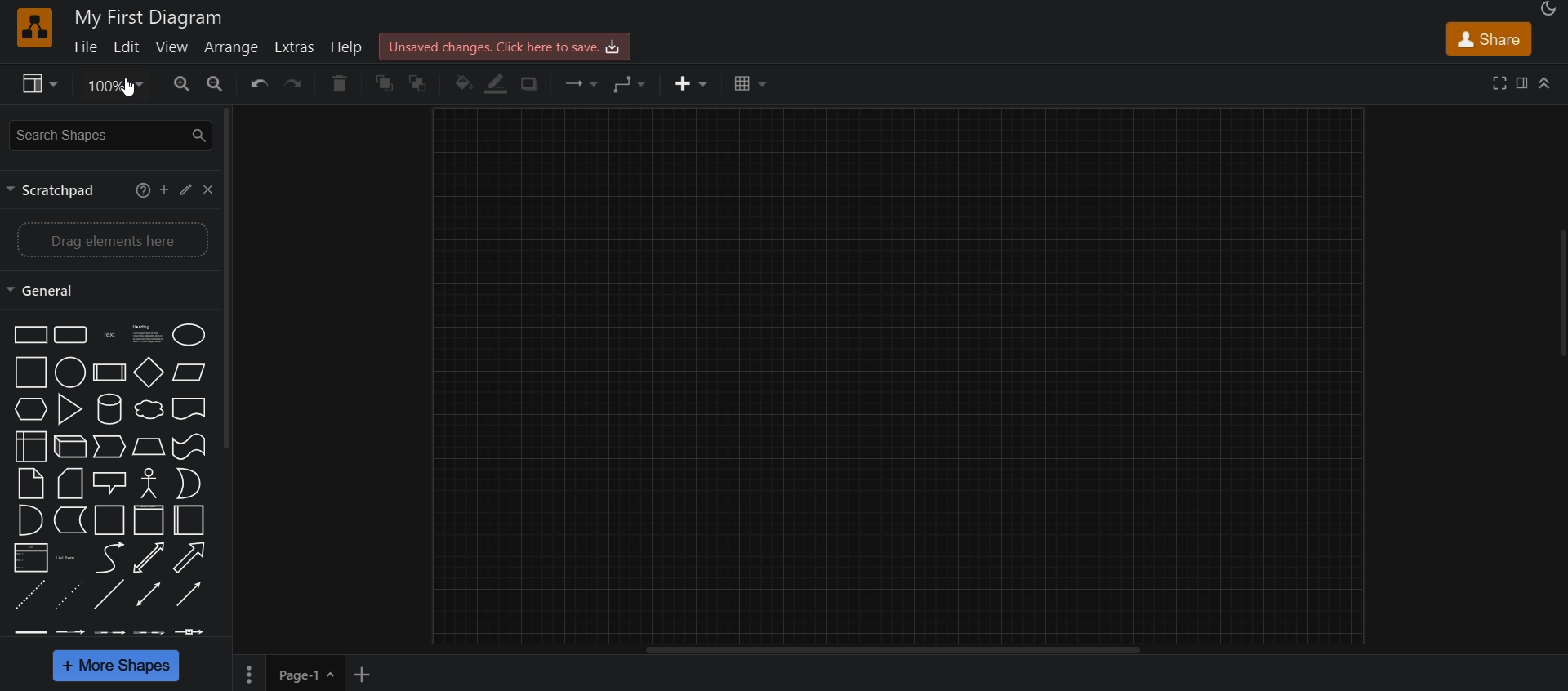  I want to click on help, so click(349, 46).